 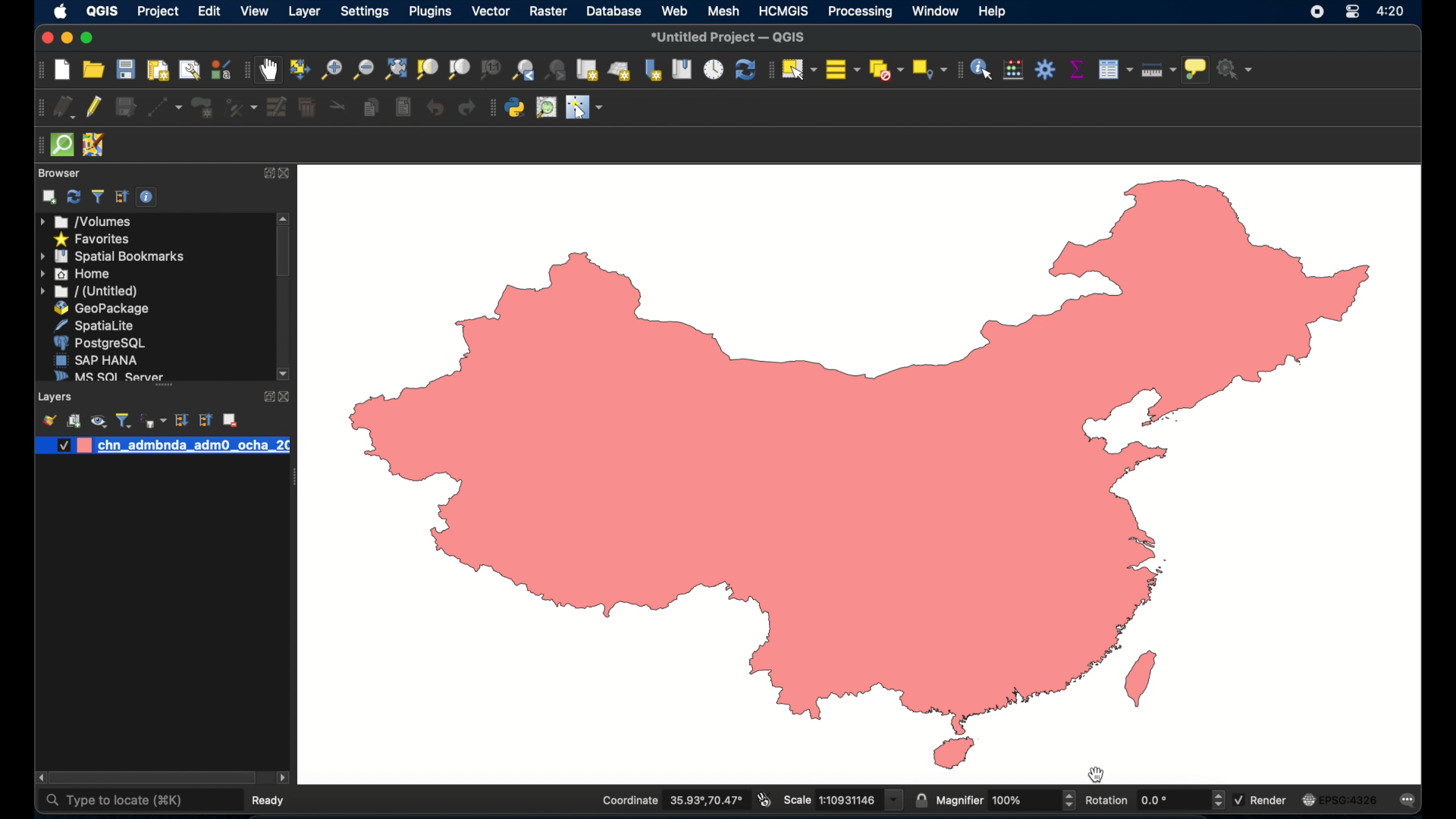 What do you see at coordinates (430, 14) in the screenshot?
I see `plugins` at bounding box center [430, 14].